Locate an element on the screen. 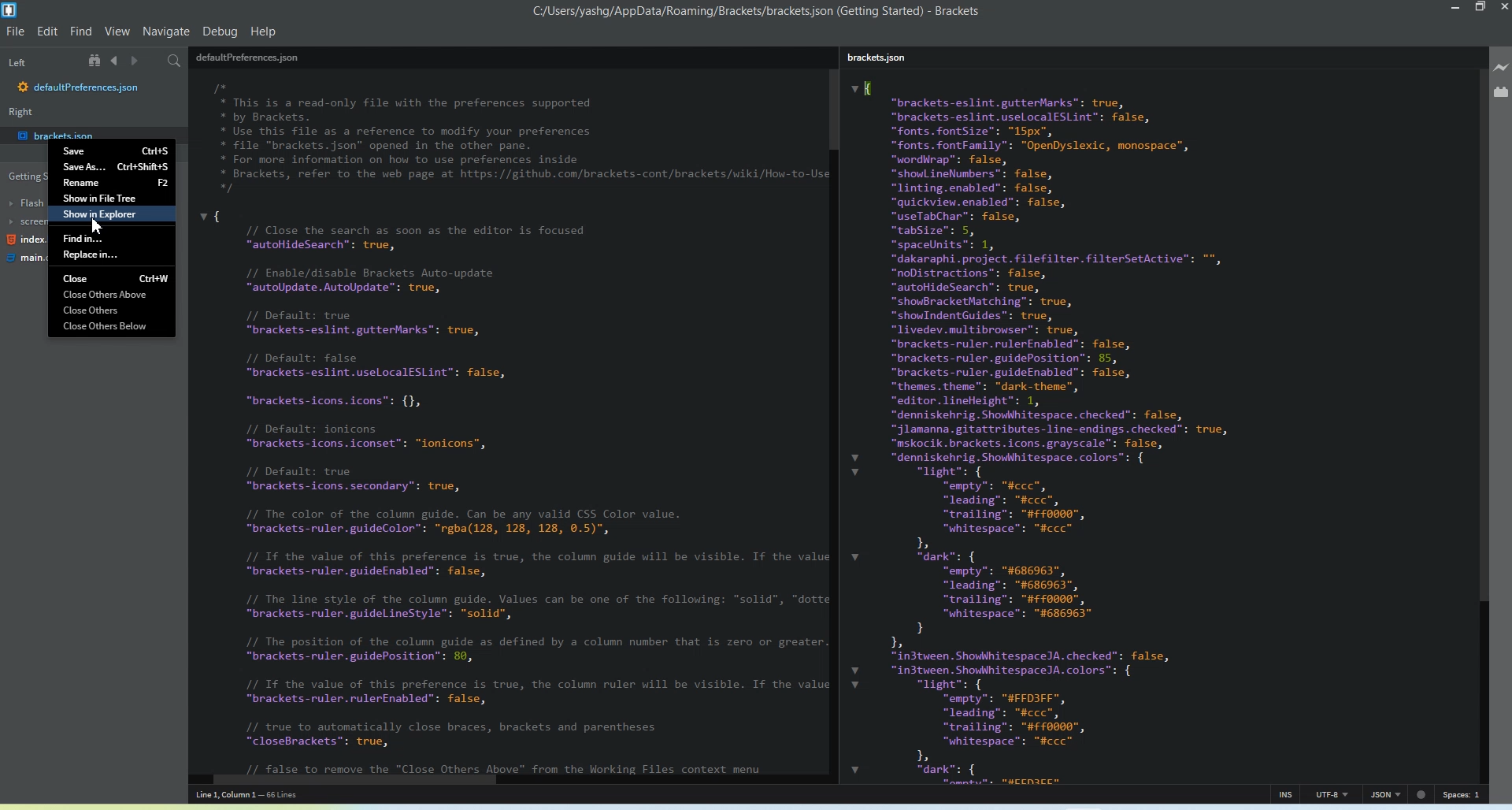  Close is located at coordinates (1503, 9).